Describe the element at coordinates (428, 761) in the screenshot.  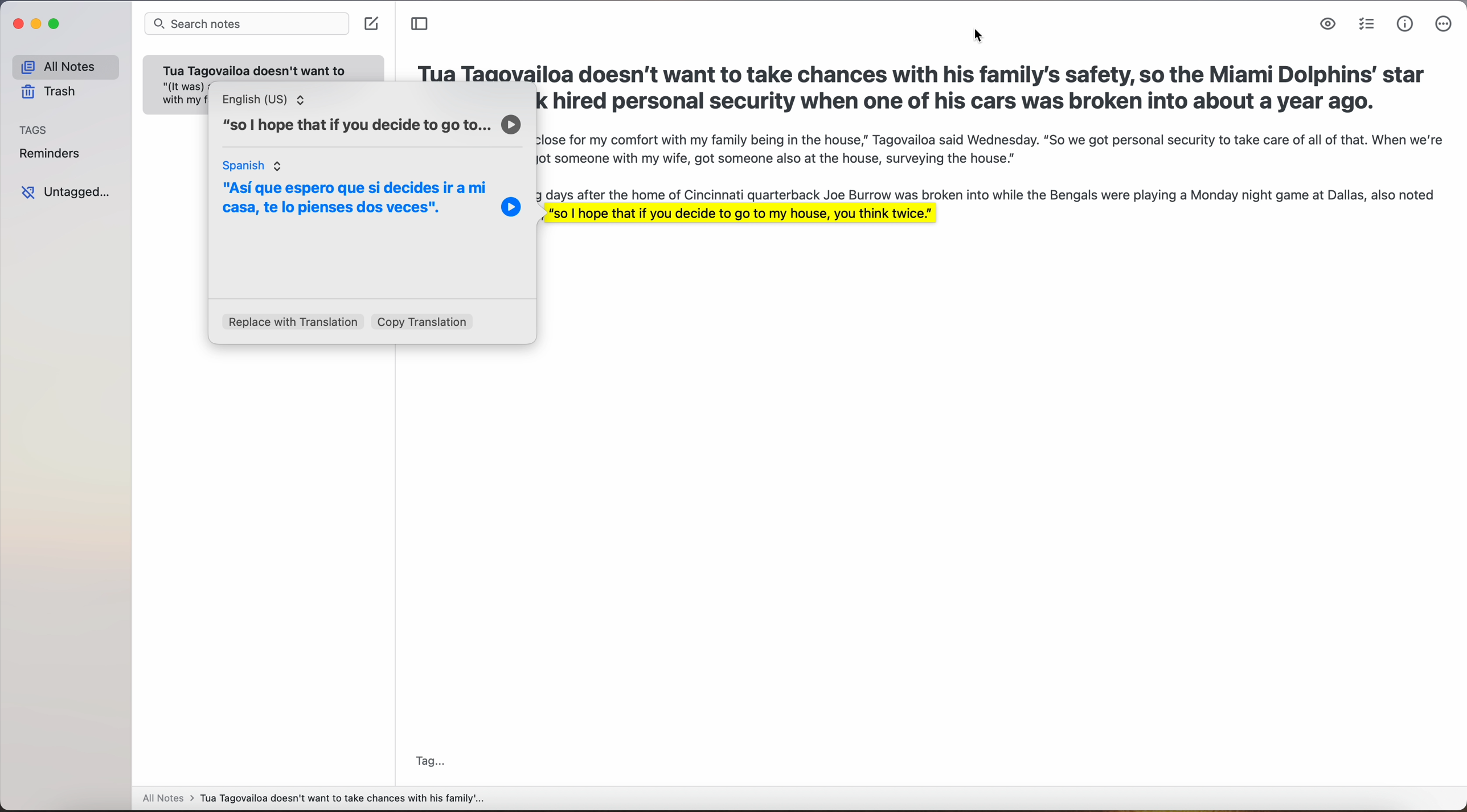
I see `tag` at that location.